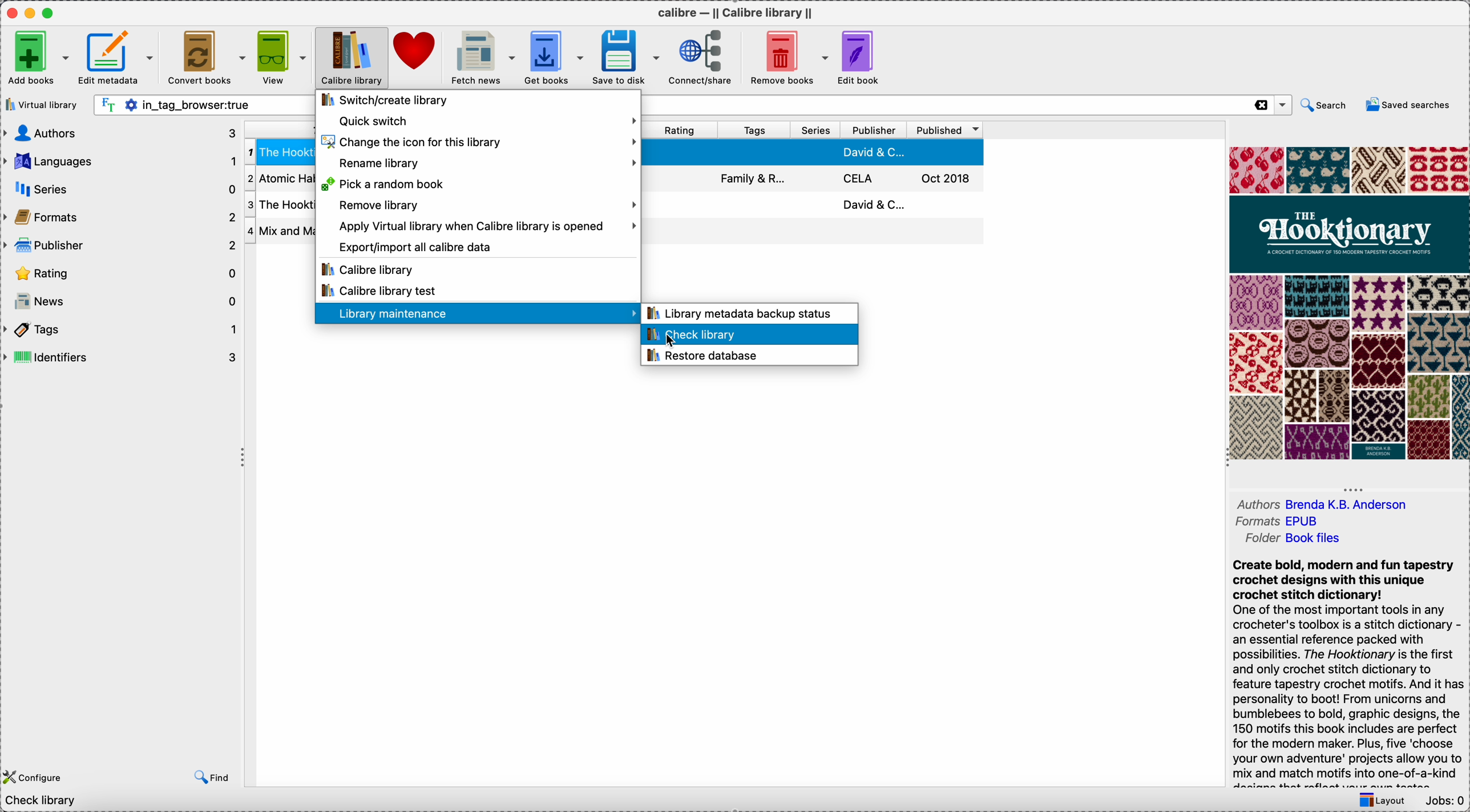 The height and width of the screenshot is (812, 1470). Describe the element at coordinates (819, 233) in the screenshot. I see `four book` at that location.